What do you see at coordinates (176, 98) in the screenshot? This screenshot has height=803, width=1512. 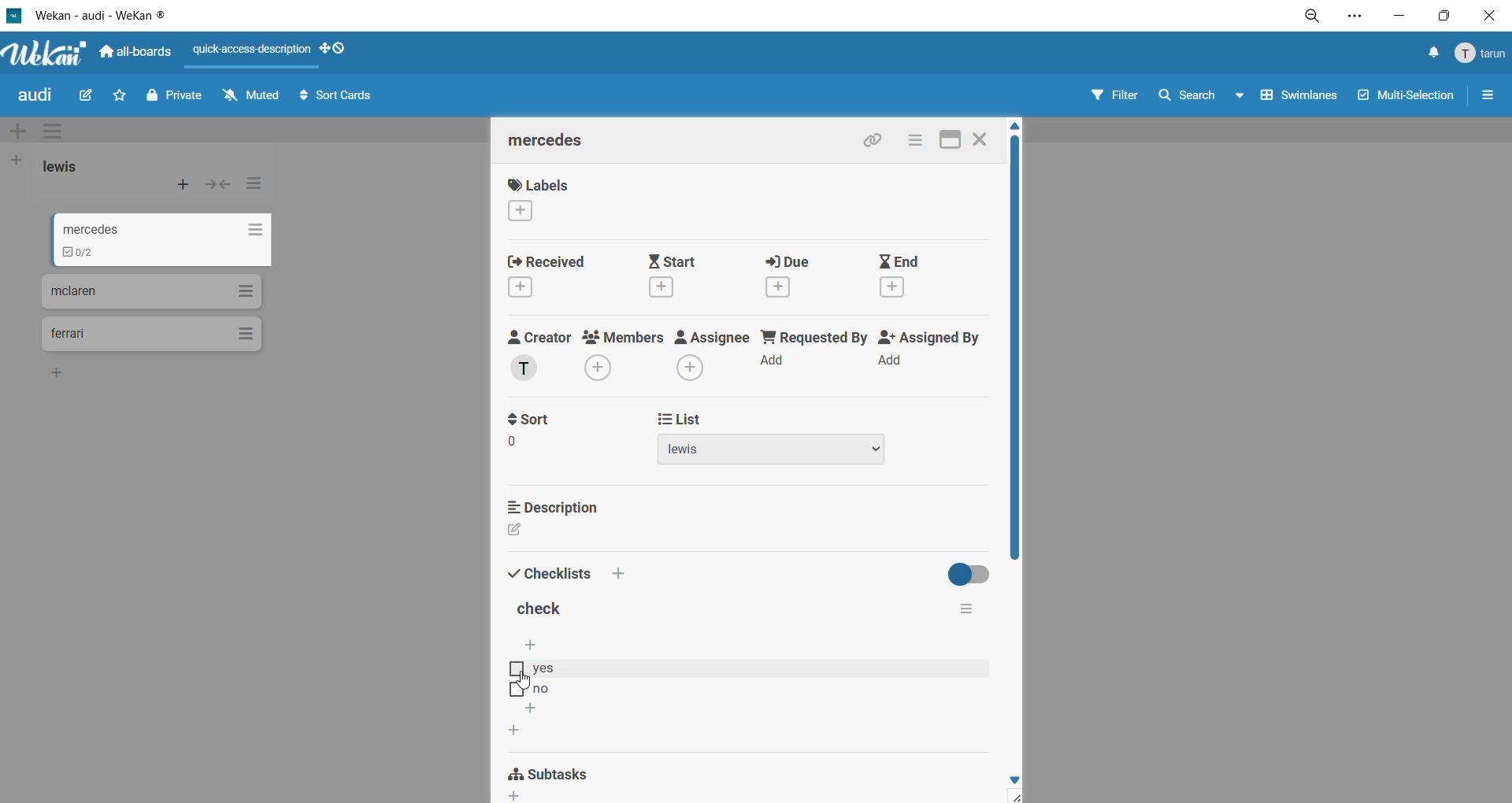 I see `private` at bounding box center [176, 98].